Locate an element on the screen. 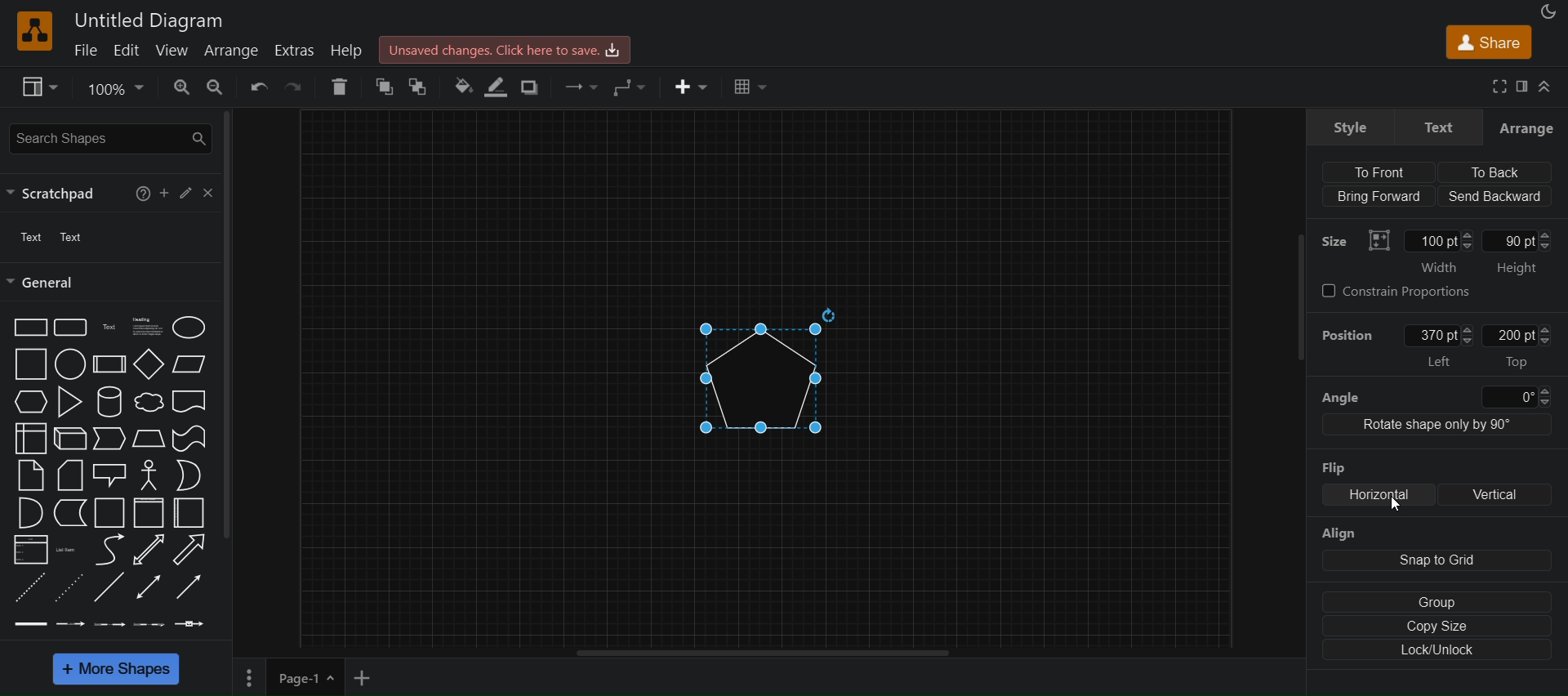 The image size is (1568, 696). Process is located at coordinates (109, 364).